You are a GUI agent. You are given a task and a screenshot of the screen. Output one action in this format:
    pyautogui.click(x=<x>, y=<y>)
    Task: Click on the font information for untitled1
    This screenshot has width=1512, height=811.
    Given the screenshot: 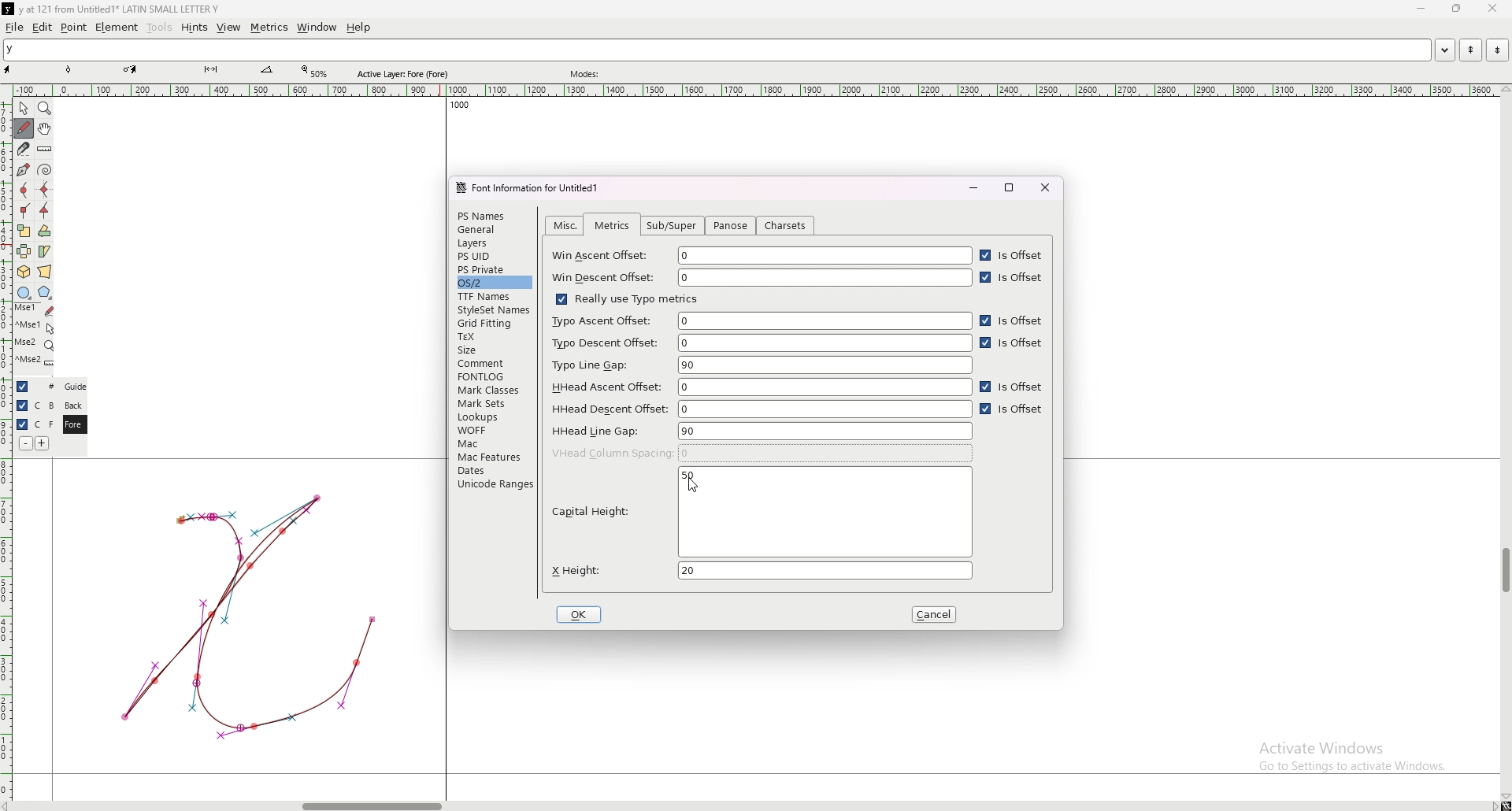 What is the action you would take?
    pyautogui.click(x=533, y=188)
    